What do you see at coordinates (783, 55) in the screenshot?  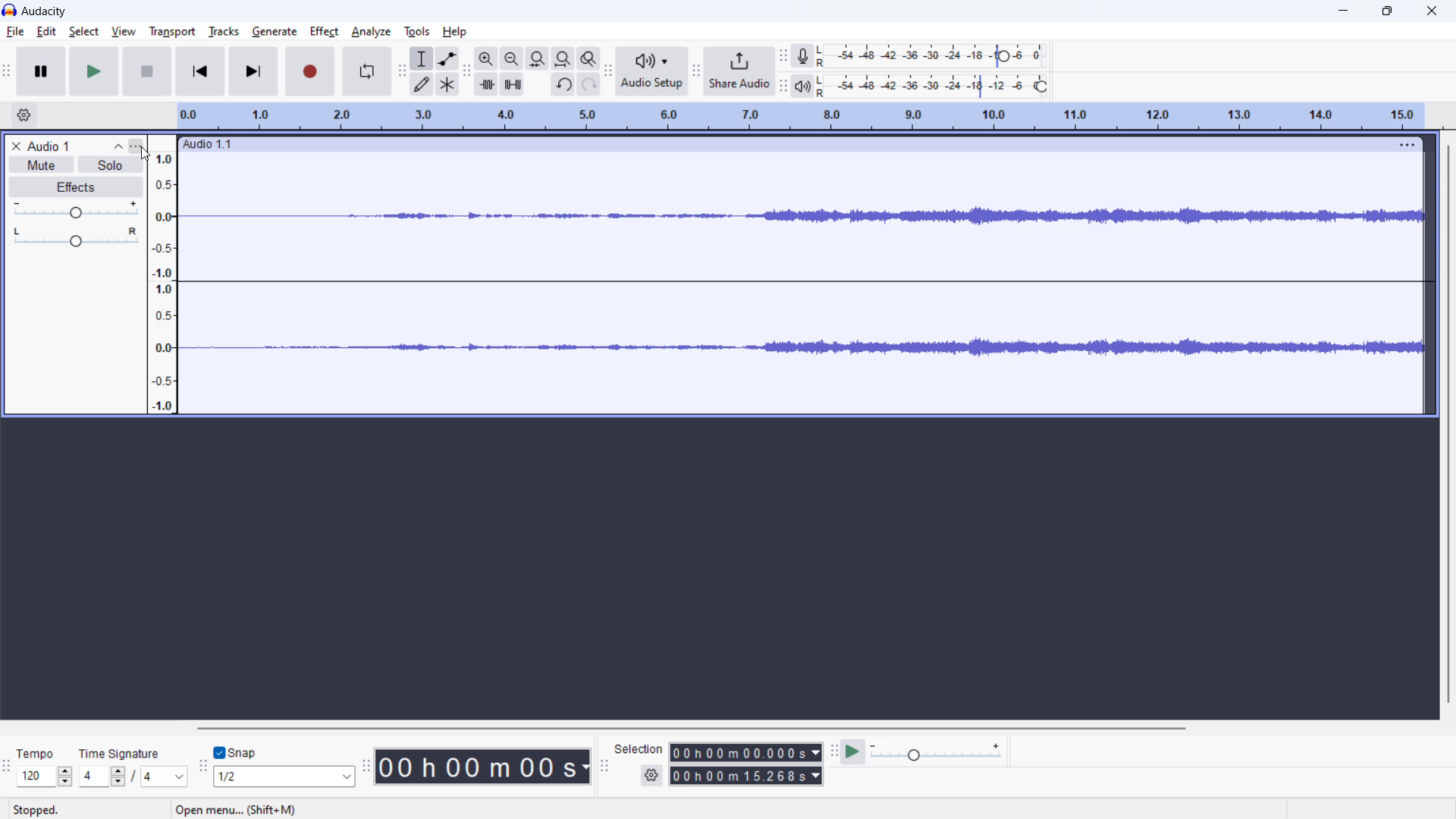 I see `recording meter toolbar` at bounding box center [783, 55].